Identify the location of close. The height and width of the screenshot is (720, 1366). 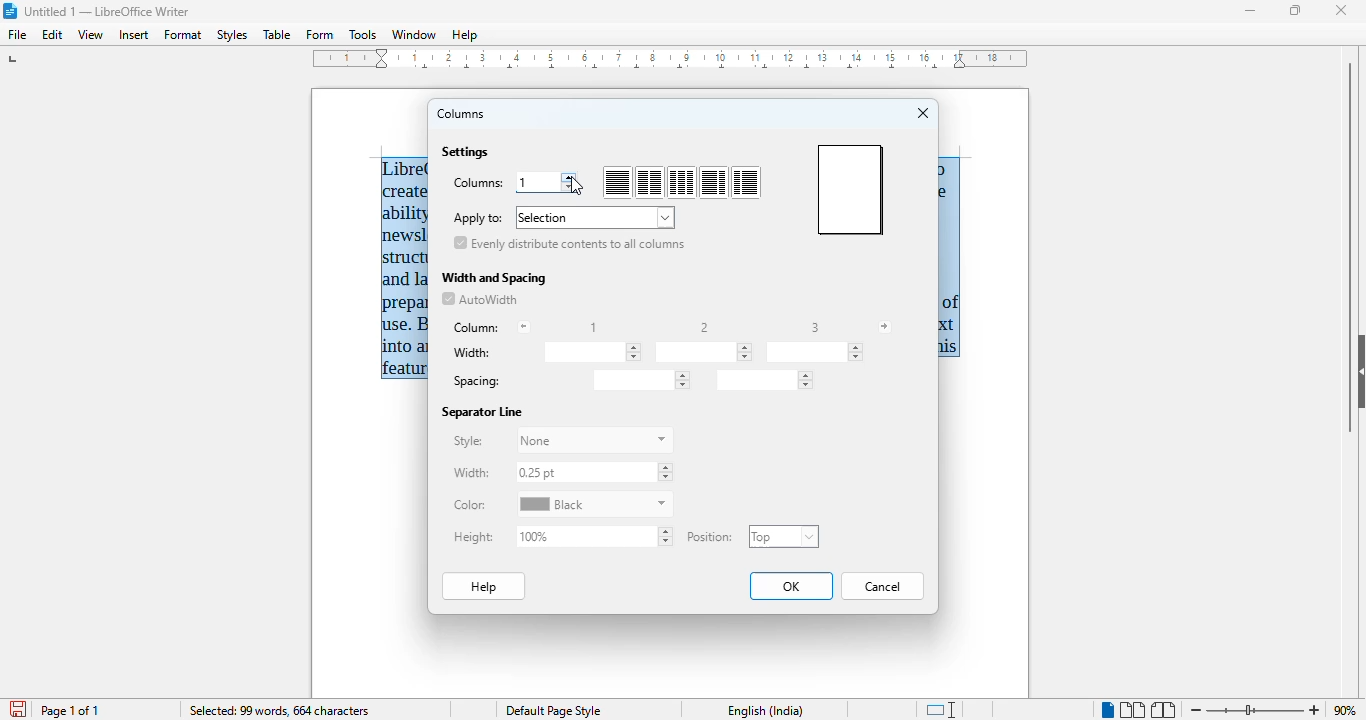
(1341, 10).